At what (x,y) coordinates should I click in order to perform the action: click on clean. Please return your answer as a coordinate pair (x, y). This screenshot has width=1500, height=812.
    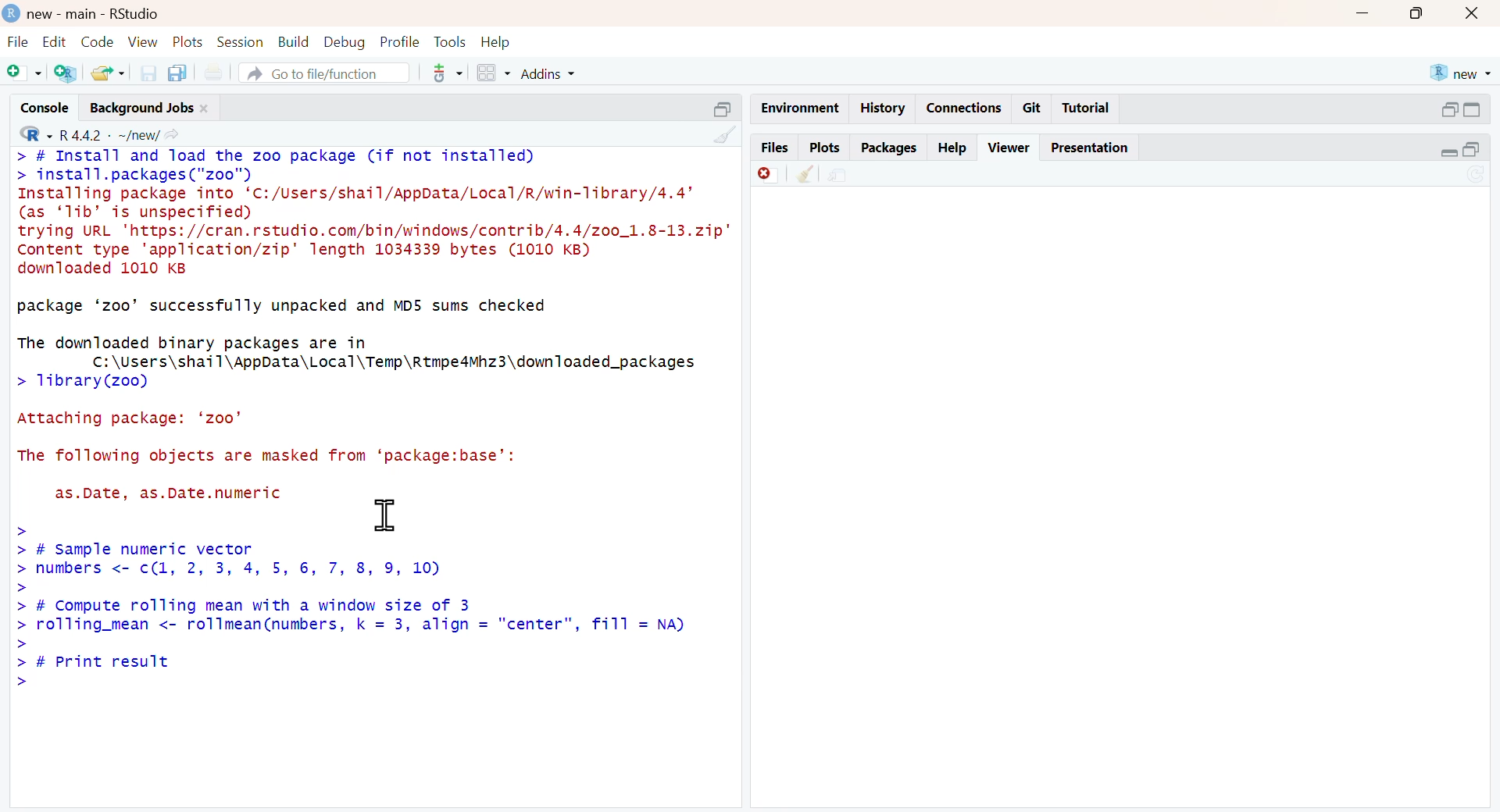
    Looking at the image, I should click on (726, 134).